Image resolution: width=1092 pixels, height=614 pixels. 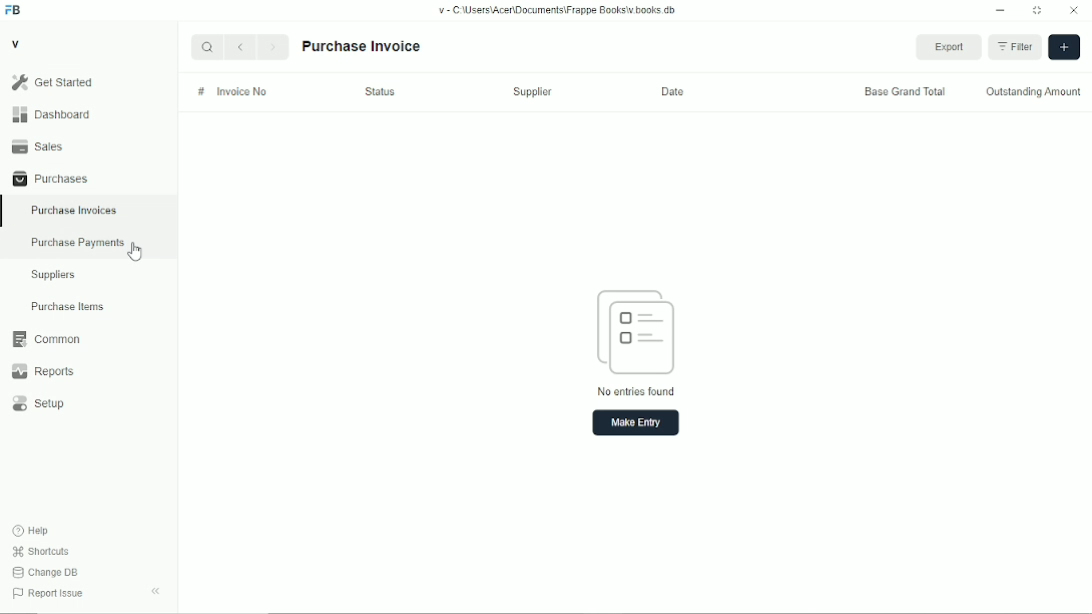 What do you see at coordinates (672, 92) in the screenshot?
I see `Date` at bounding box center [672, 92].